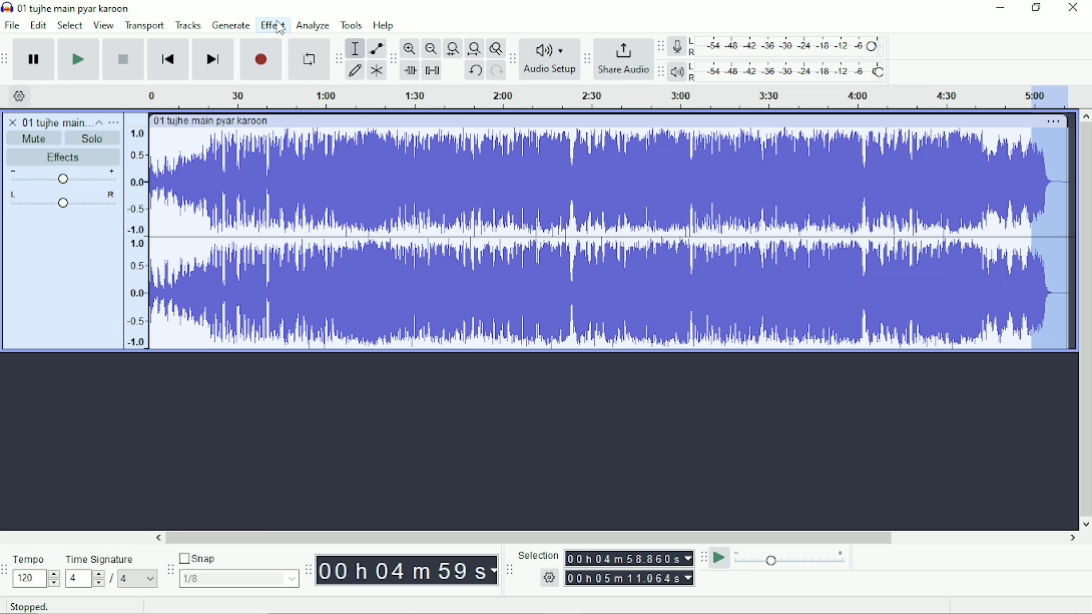  Describe the element at coordinates (219, 121) in the screenshot. I see `01 tujhe main pyar karoon` at that location.